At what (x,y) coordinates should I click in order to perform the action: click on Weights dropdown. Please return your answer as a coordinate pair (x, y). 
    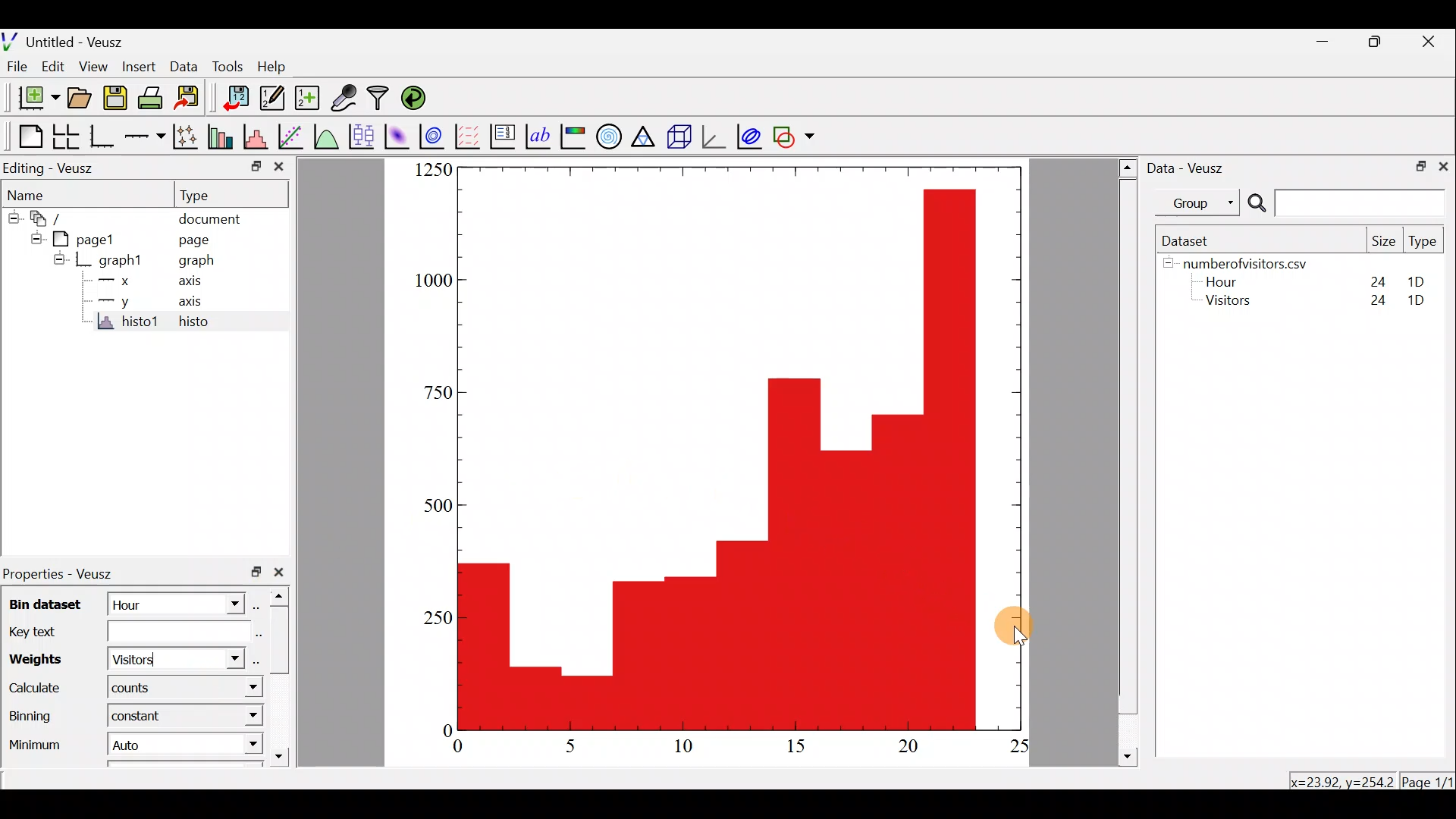
    Looking at the image, I should click on (217, 661).